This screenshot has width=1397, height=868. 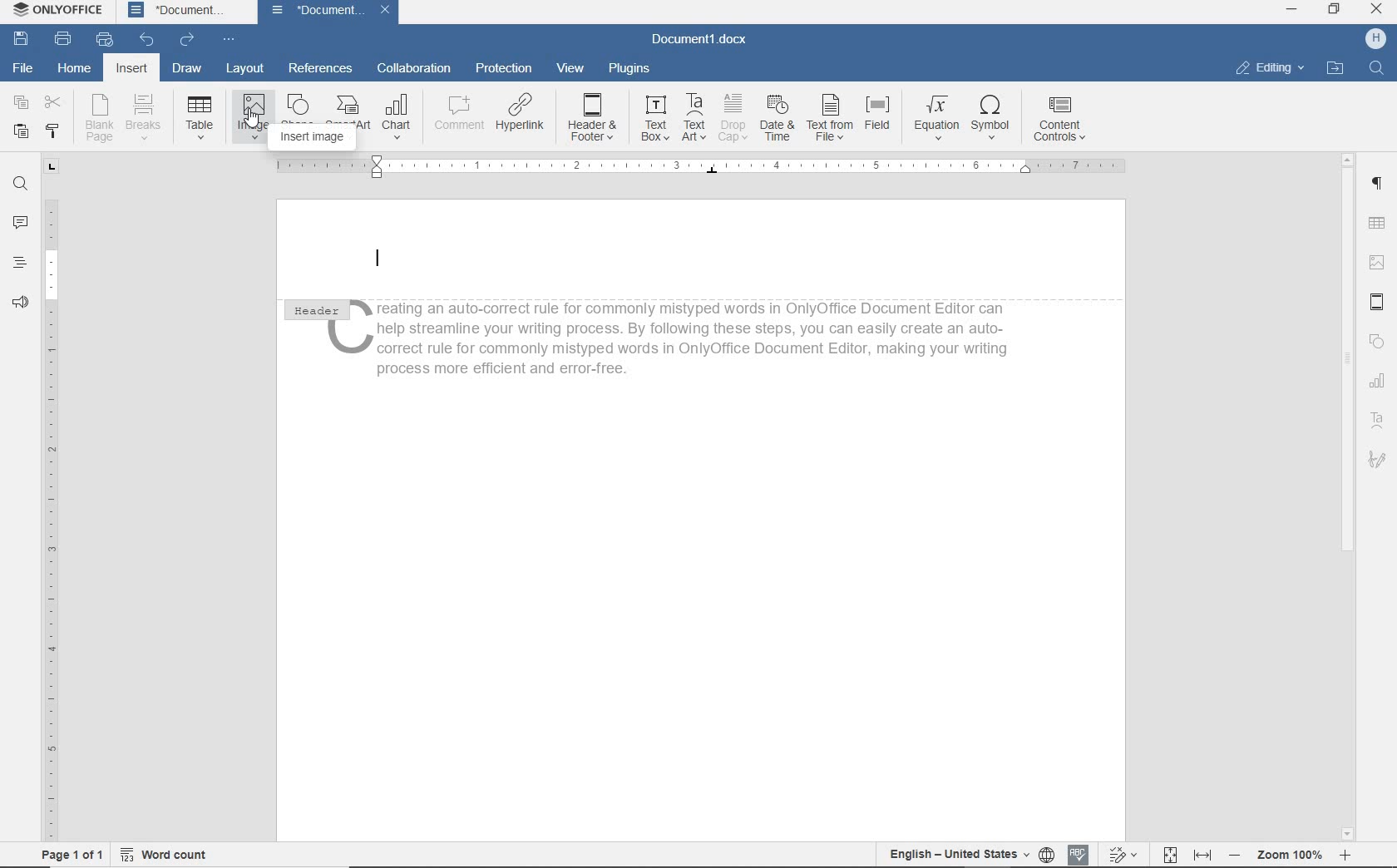 What do you see at coordinates (187, 69) in the screenshot?
I see `DRAW` at bounding box center [187, 69].